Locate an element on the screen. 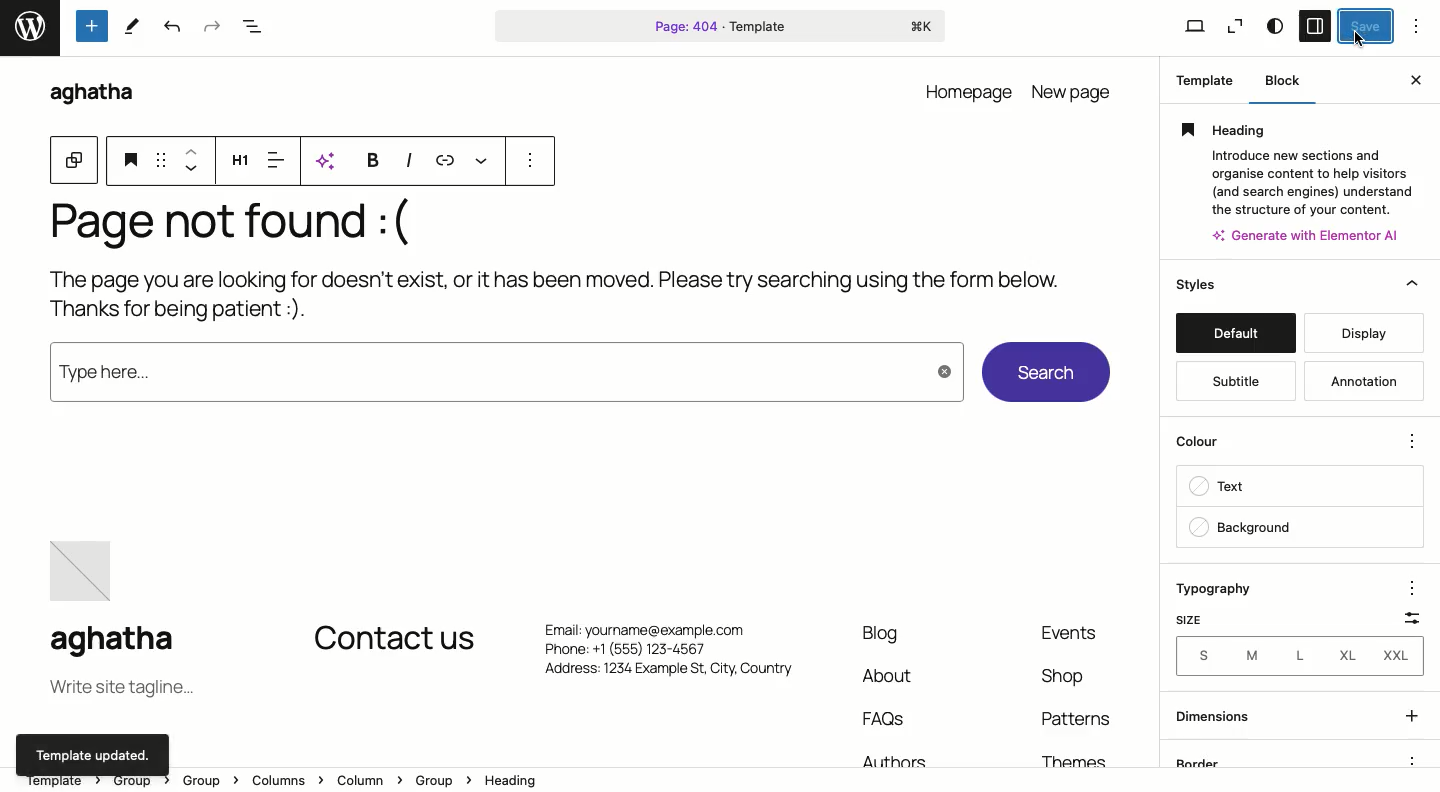 This screenshot has height=792, width=1440. dimensions is located at coordinates (1297, 715).